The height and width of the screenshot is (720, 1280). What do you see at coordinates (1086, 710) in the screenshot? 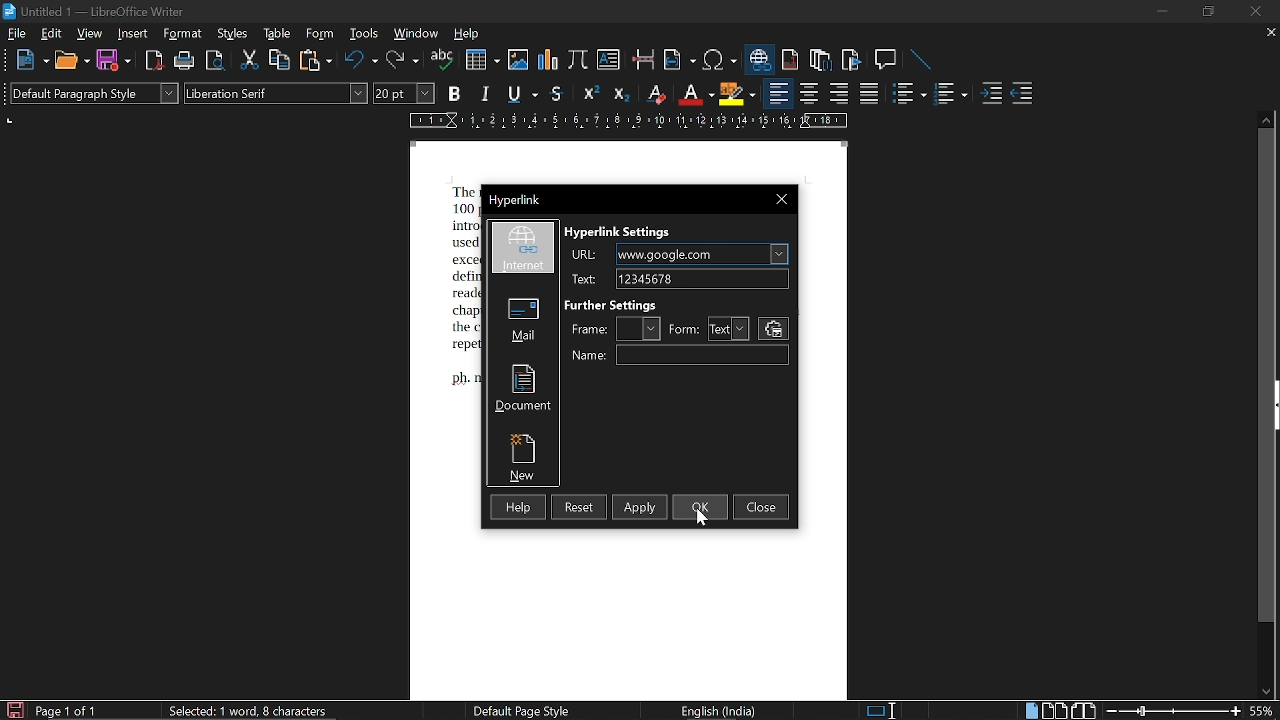
I see `book view` at bounding box center [1086, 710].